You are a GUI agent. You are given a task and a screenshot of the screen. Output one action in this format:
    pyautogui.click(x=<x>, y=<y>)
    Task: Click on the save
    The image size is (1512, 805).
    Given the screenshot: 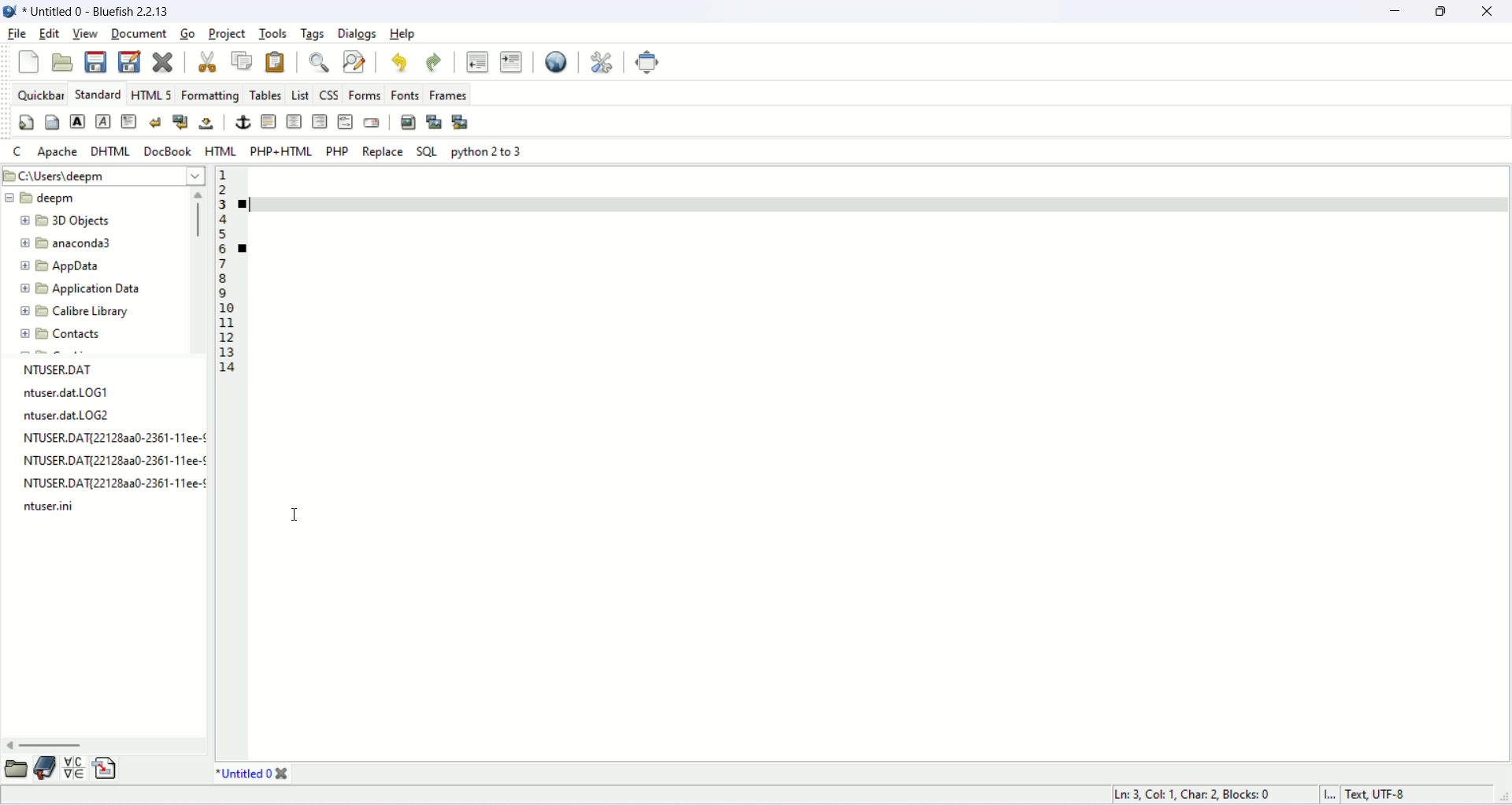 What is the action you would take?
    pyautogui.click(x=98, y=64)
    